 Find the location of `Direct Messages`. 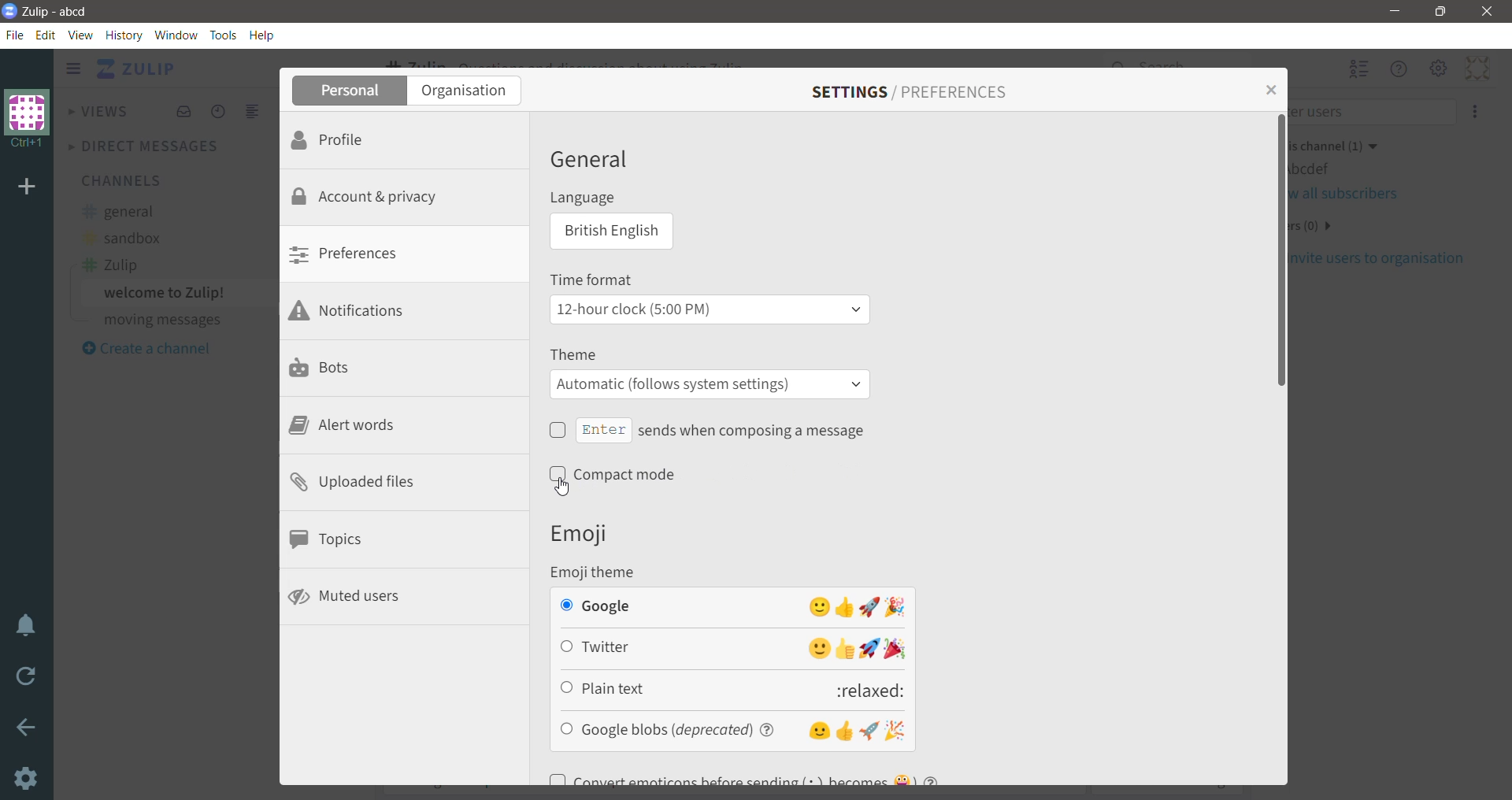

Direct Messages is located at coordinates (147, 146).